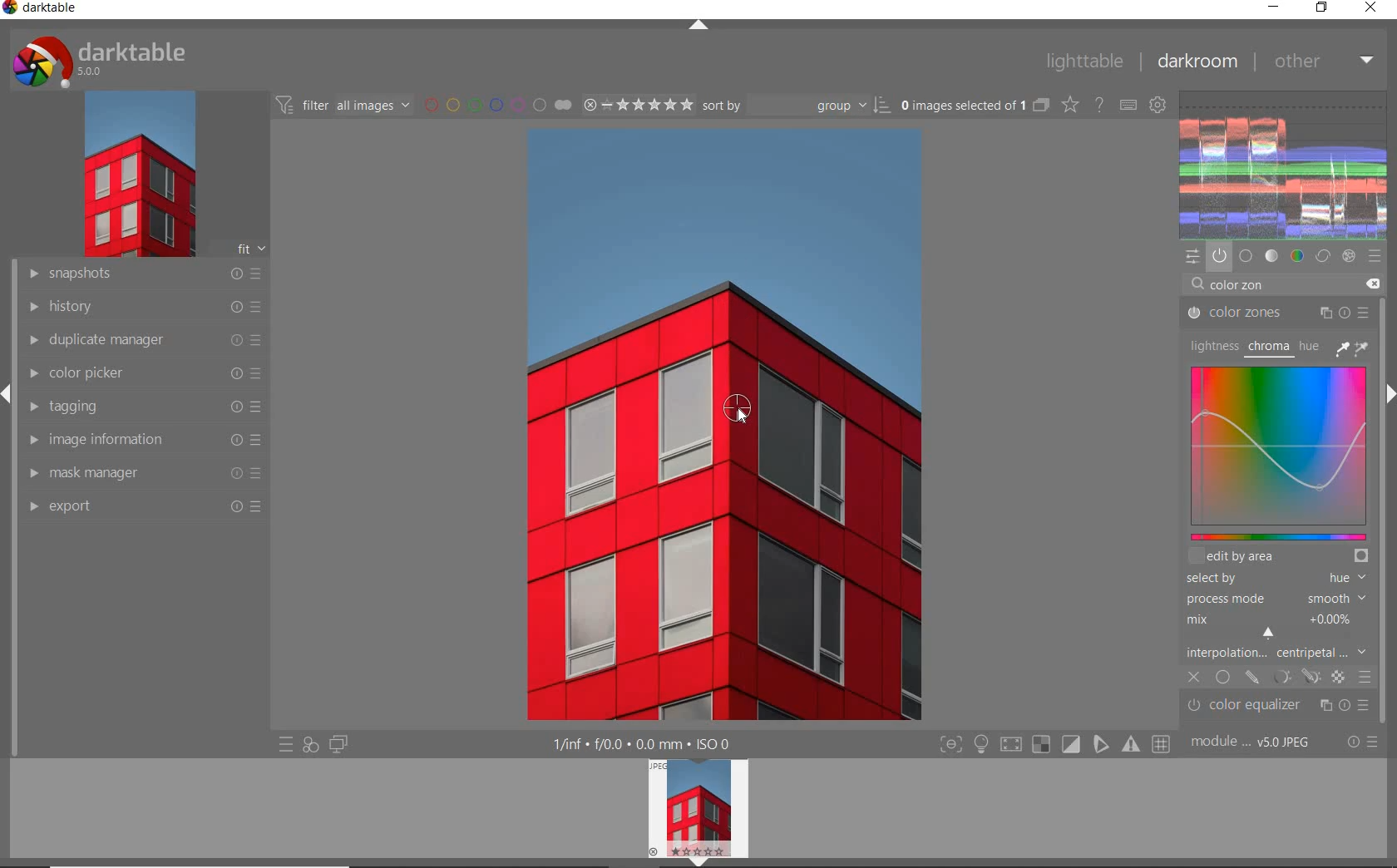 The image size is (1397, 868). I want to click on color equalizer, so click(1276, 708).